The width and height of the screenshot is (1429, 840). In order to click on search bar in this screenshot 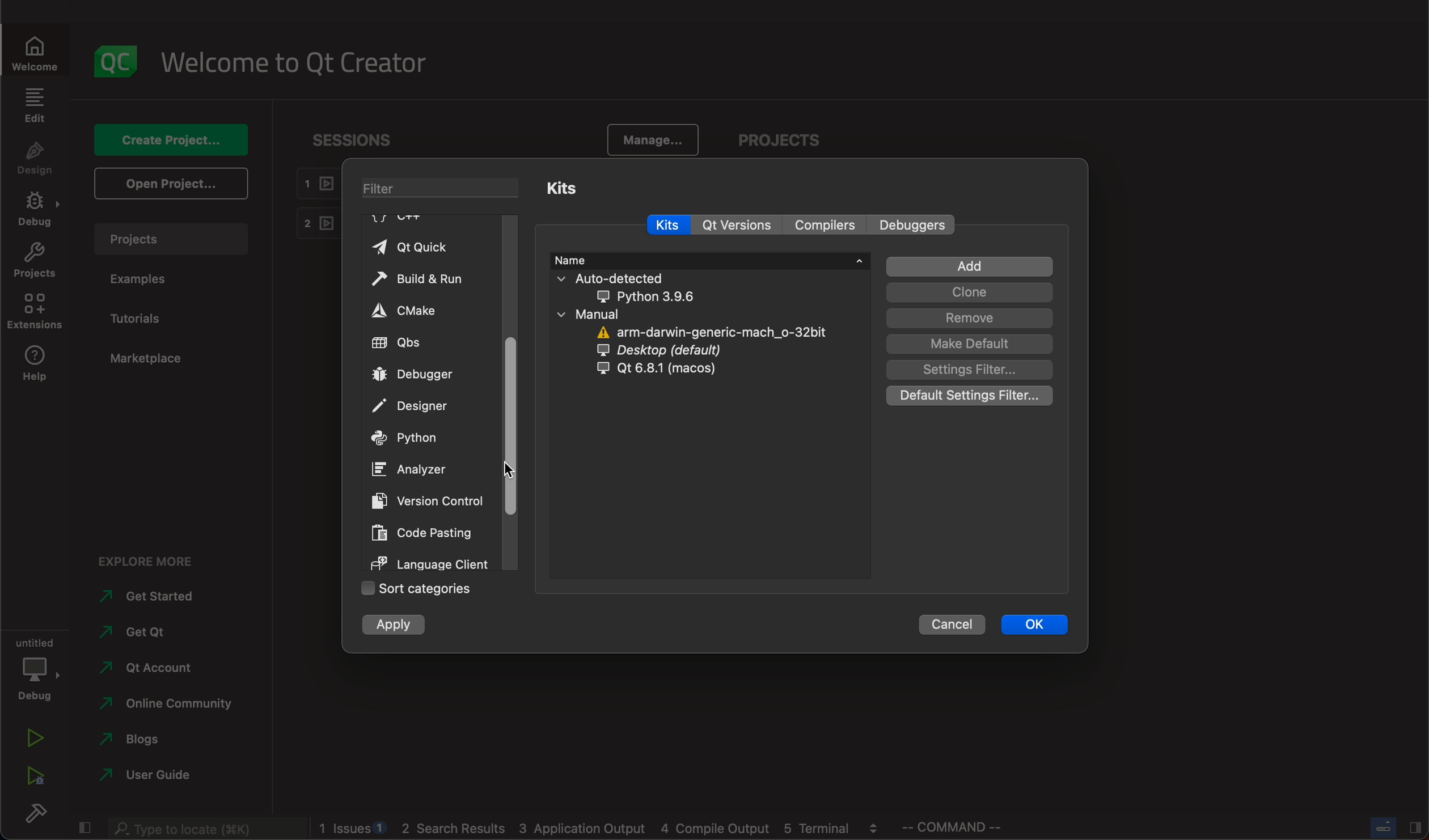, I will do `click(204, 828)`.